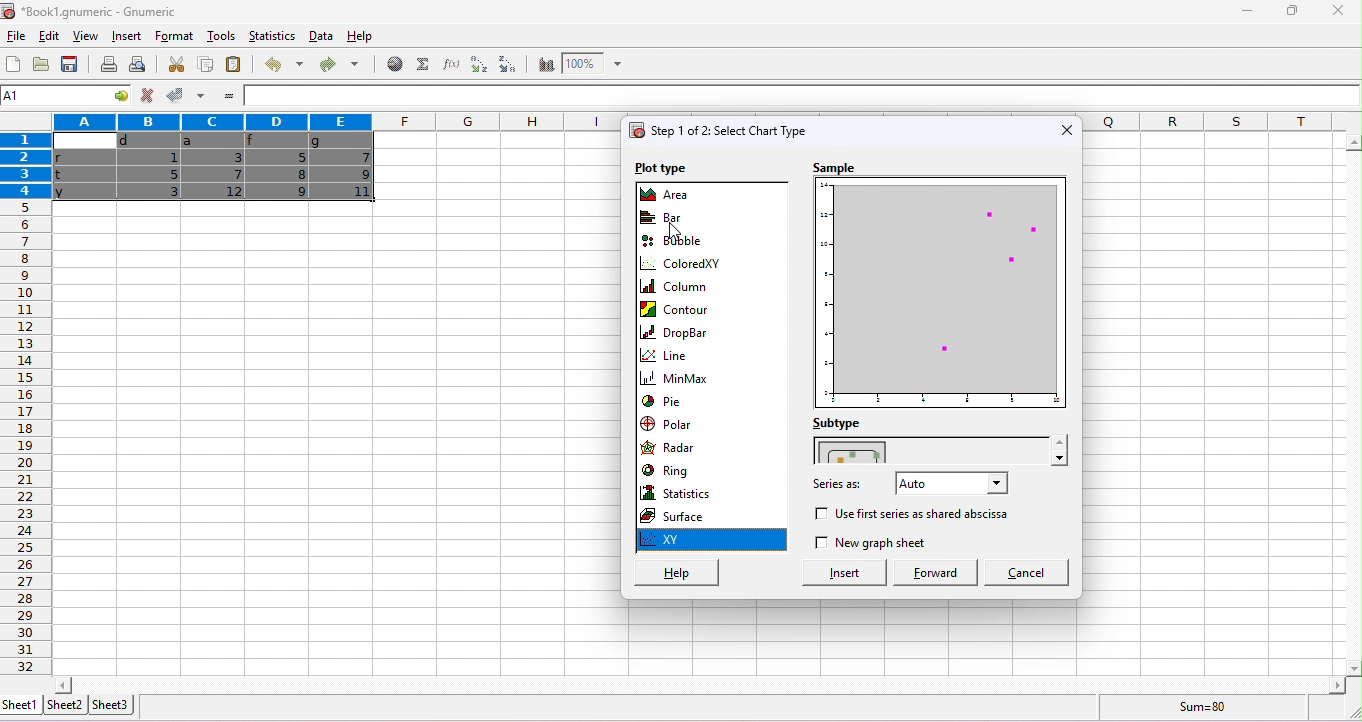 The height and width of the screenshot is (722, 1362). What do you see at coordinates (51, 37) in the screenshot?
I see `edit` at bounding box center [51, 37].